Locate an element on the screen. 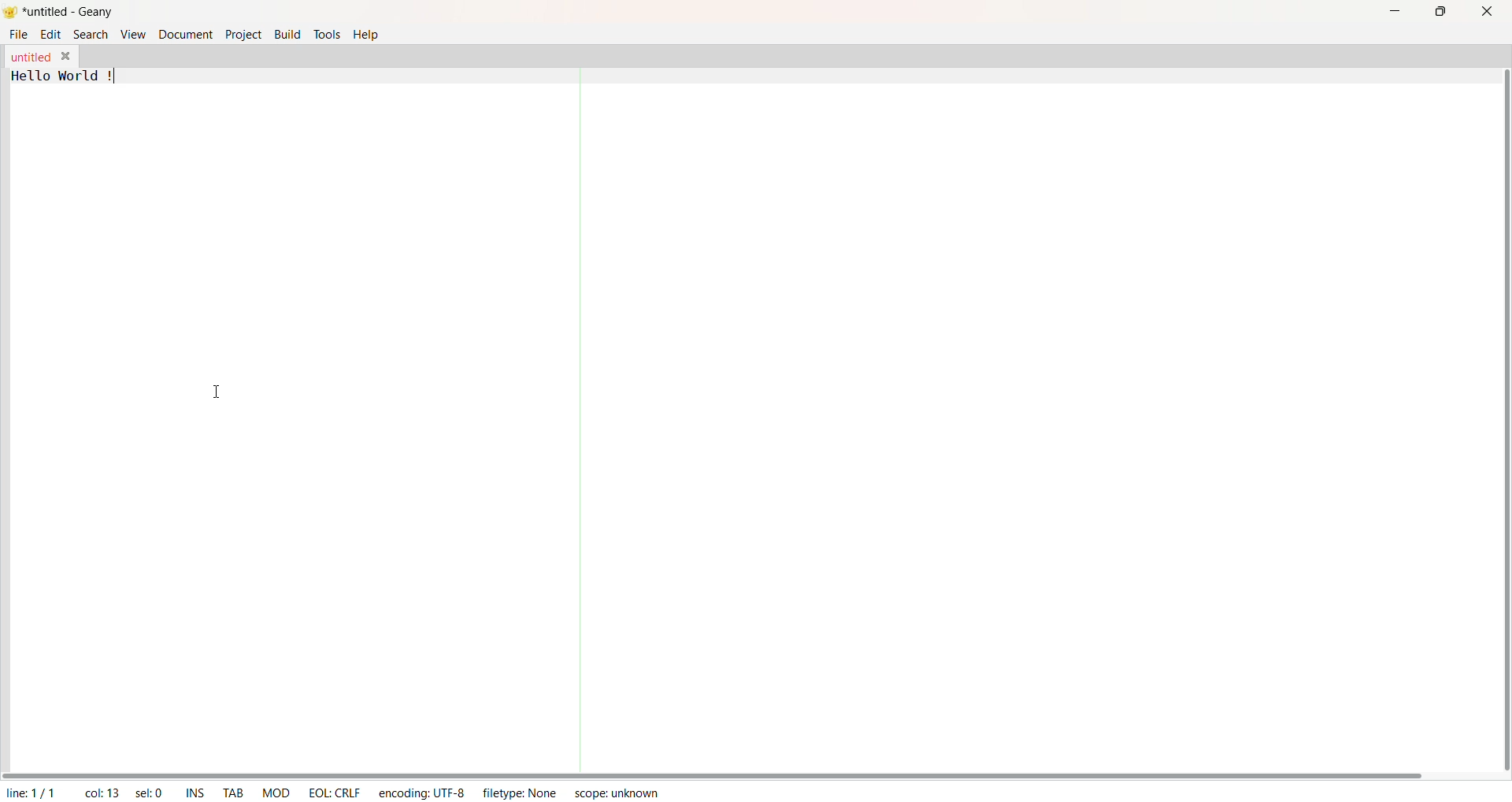 The height and width of the screenshot is (802, 1512). EOL: CRLF is located at coordinates (335, 791).